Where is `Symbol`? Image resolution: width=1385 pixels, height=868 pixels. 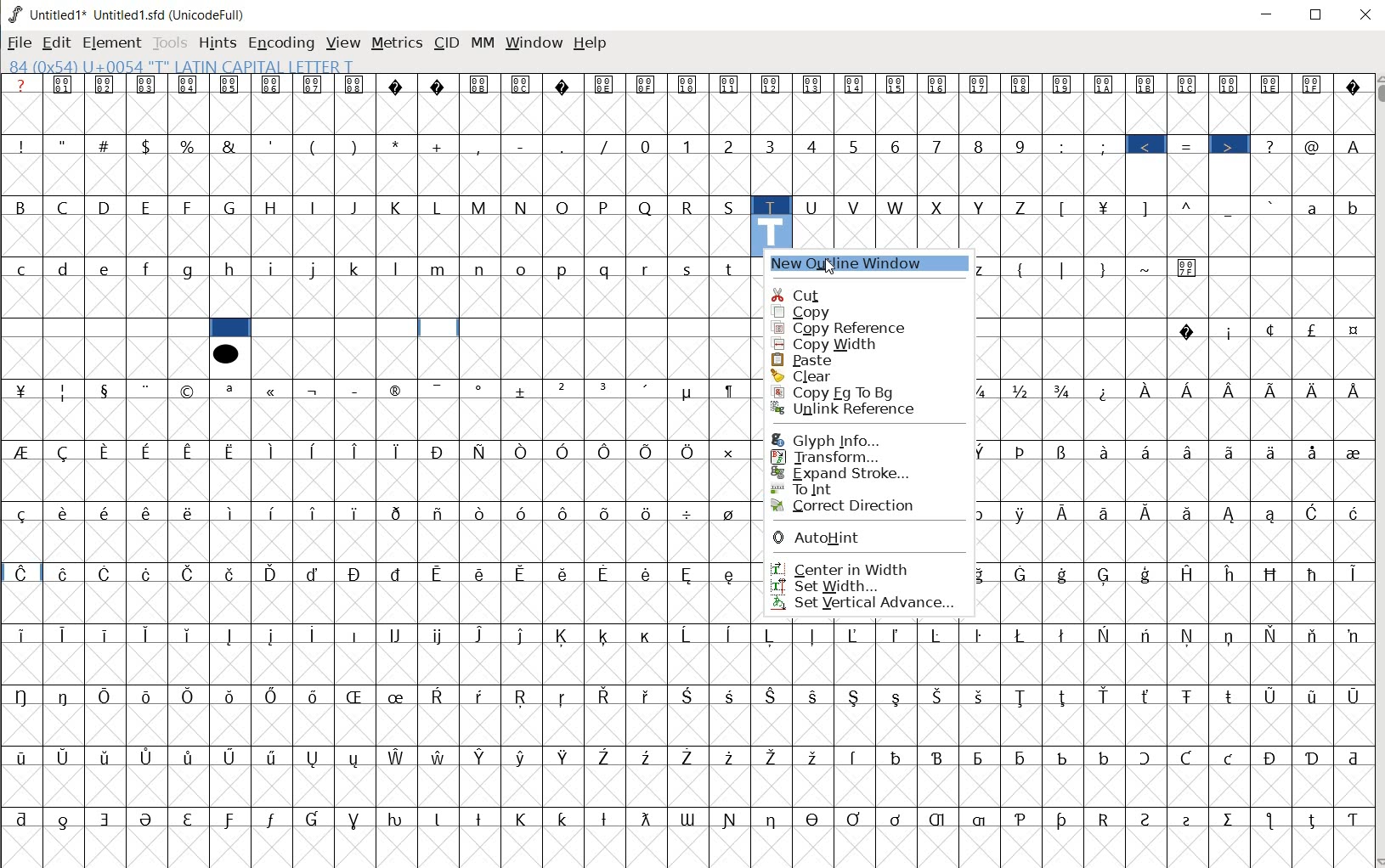 Symbol is located at coordinates (189, 817).